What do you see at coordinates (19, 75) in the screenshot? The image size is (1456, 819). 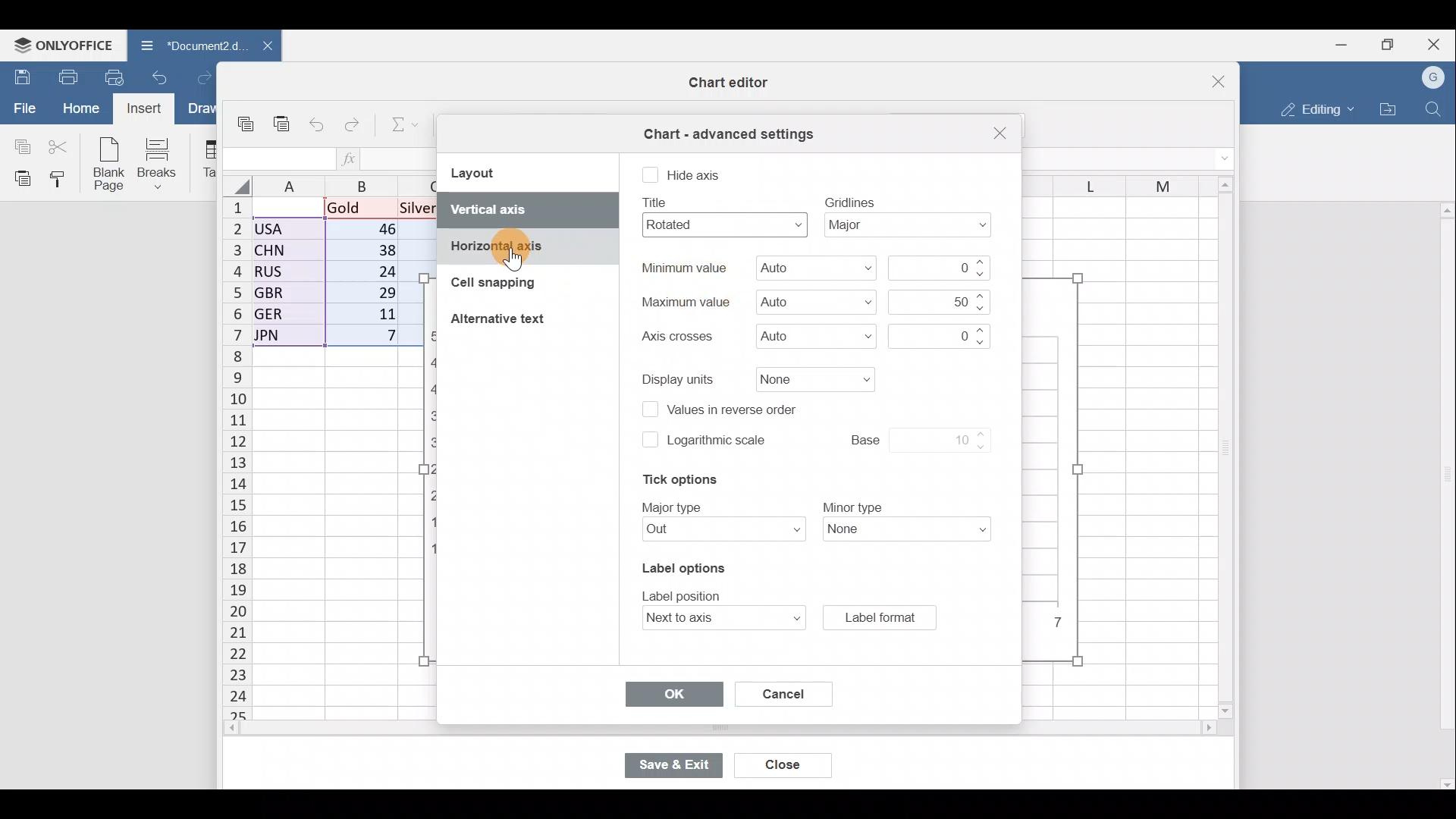 I see `Save` at bounding box center [19, 75].